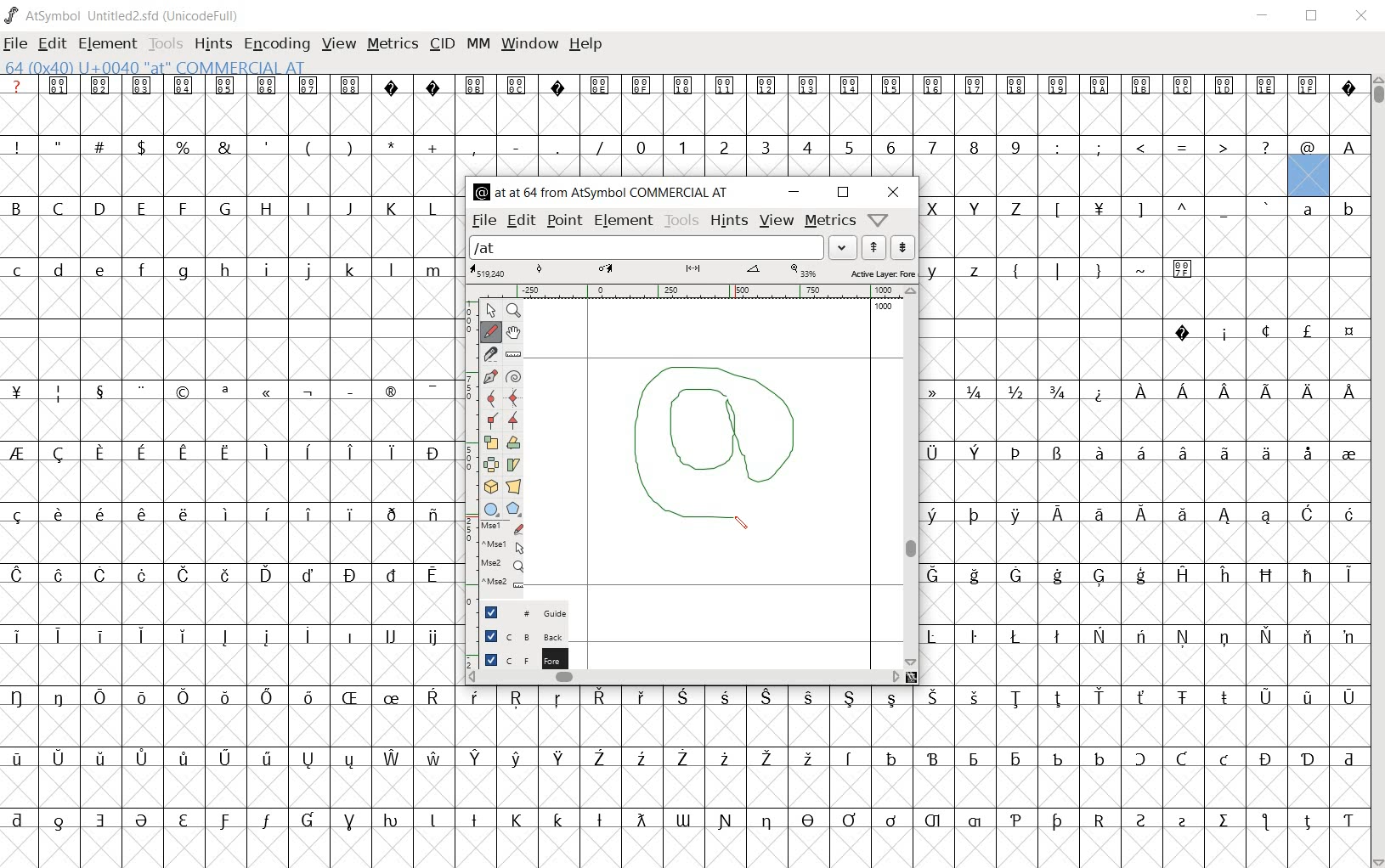  I want to click on element, so click(624, 221).